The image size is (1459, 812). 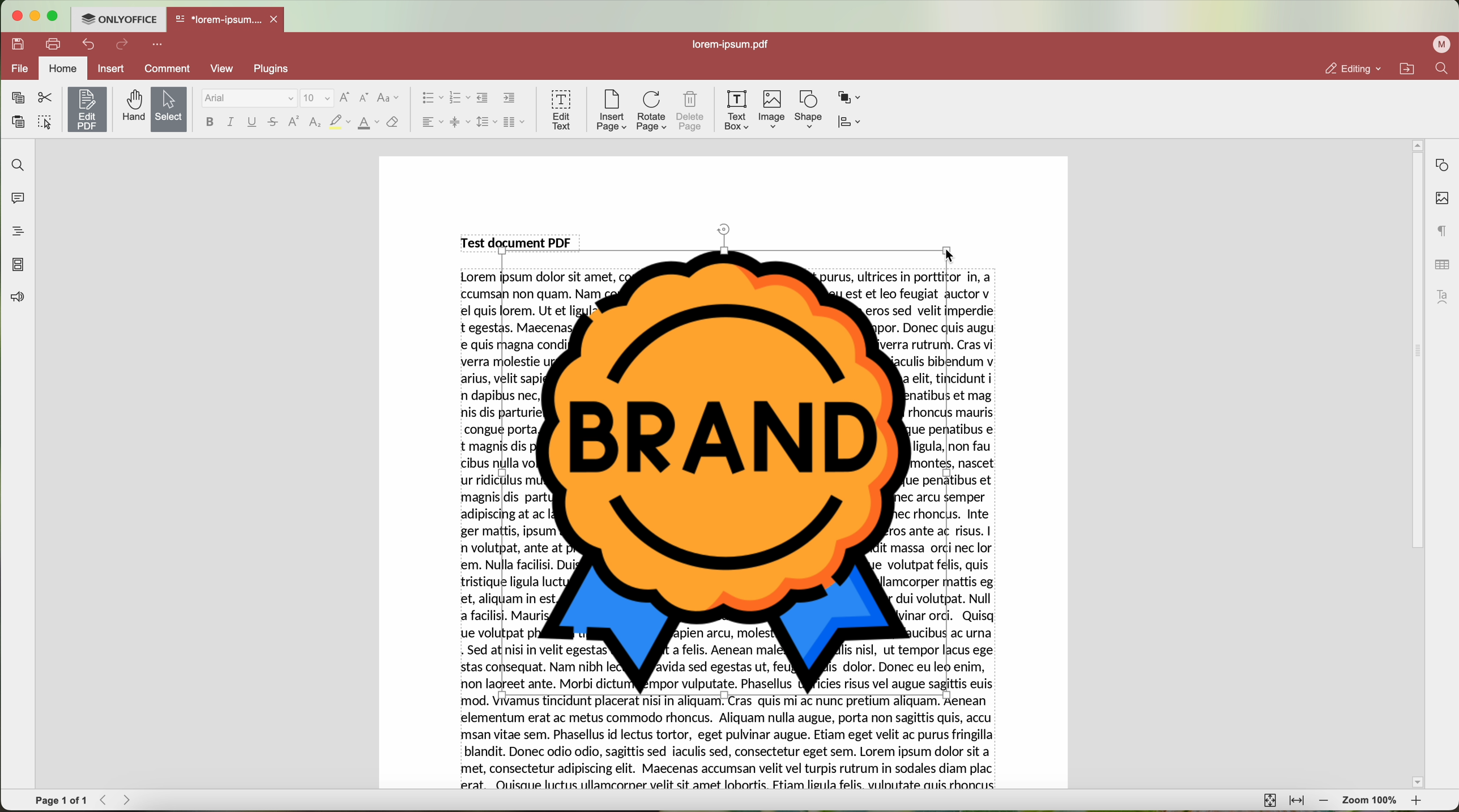 What do you see at coordinates (611, 110) in the screenshot?
I see `insert page` at bounding box center [611, 110].